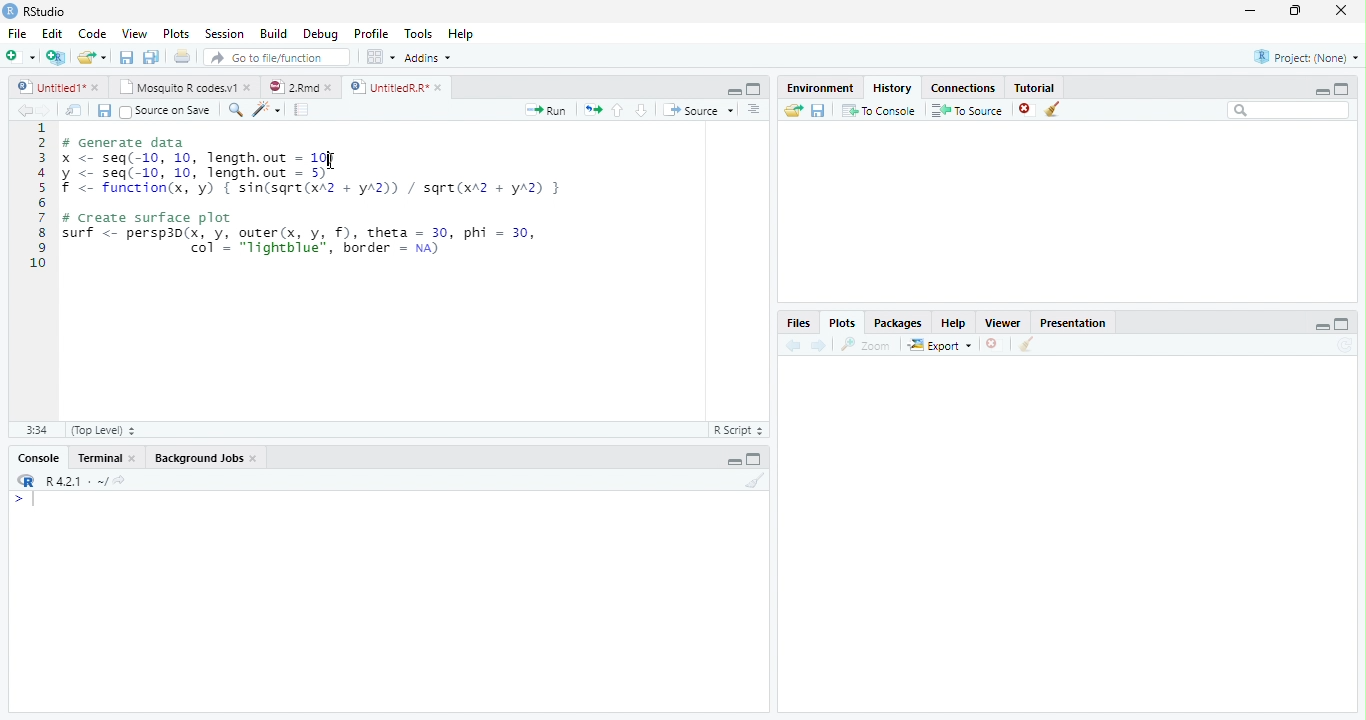  I want to click on cursor, so click(330, 161).